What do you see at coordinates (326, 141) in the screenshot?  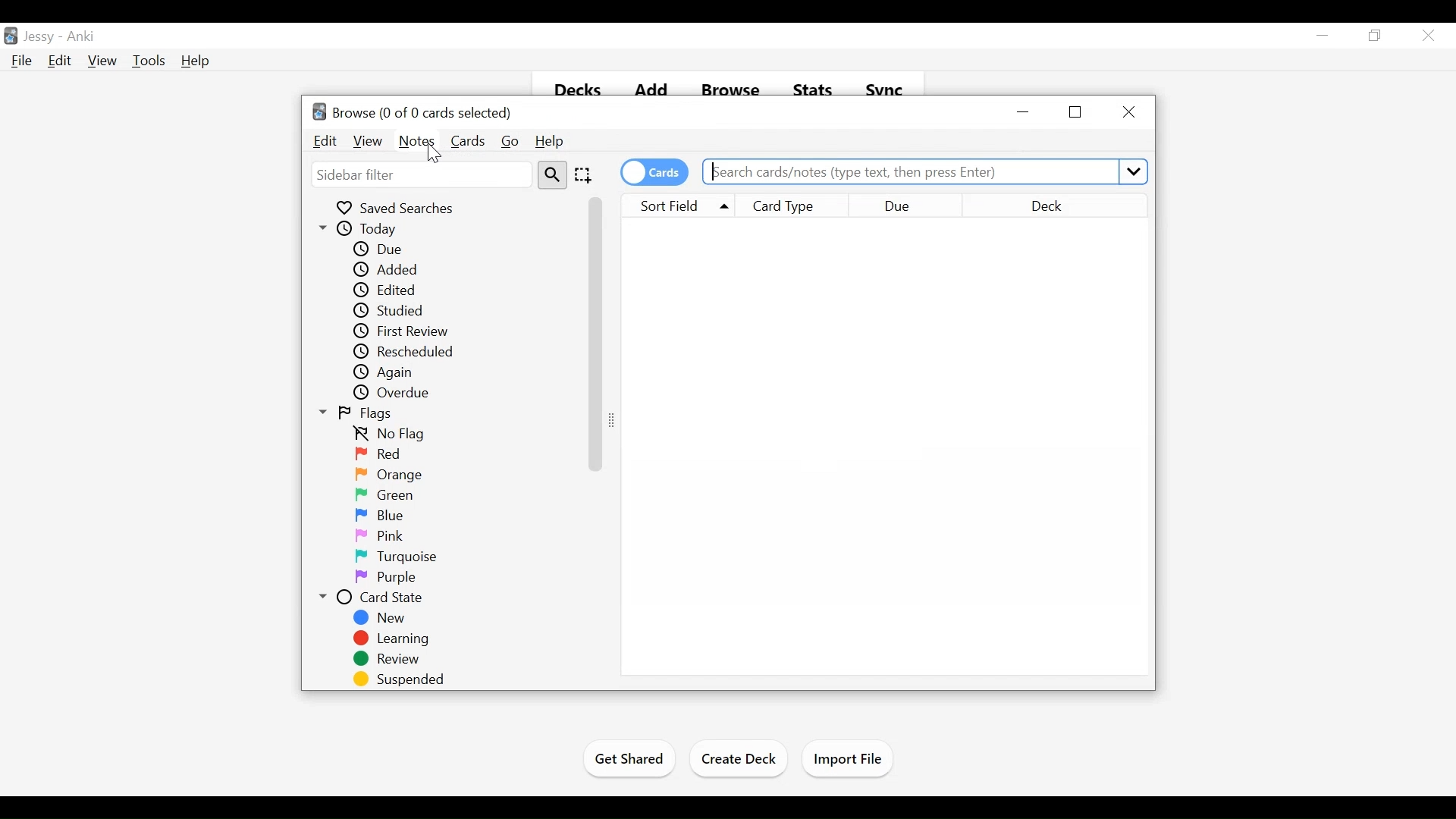 I see `Edit` at bounding box center [326, 141].